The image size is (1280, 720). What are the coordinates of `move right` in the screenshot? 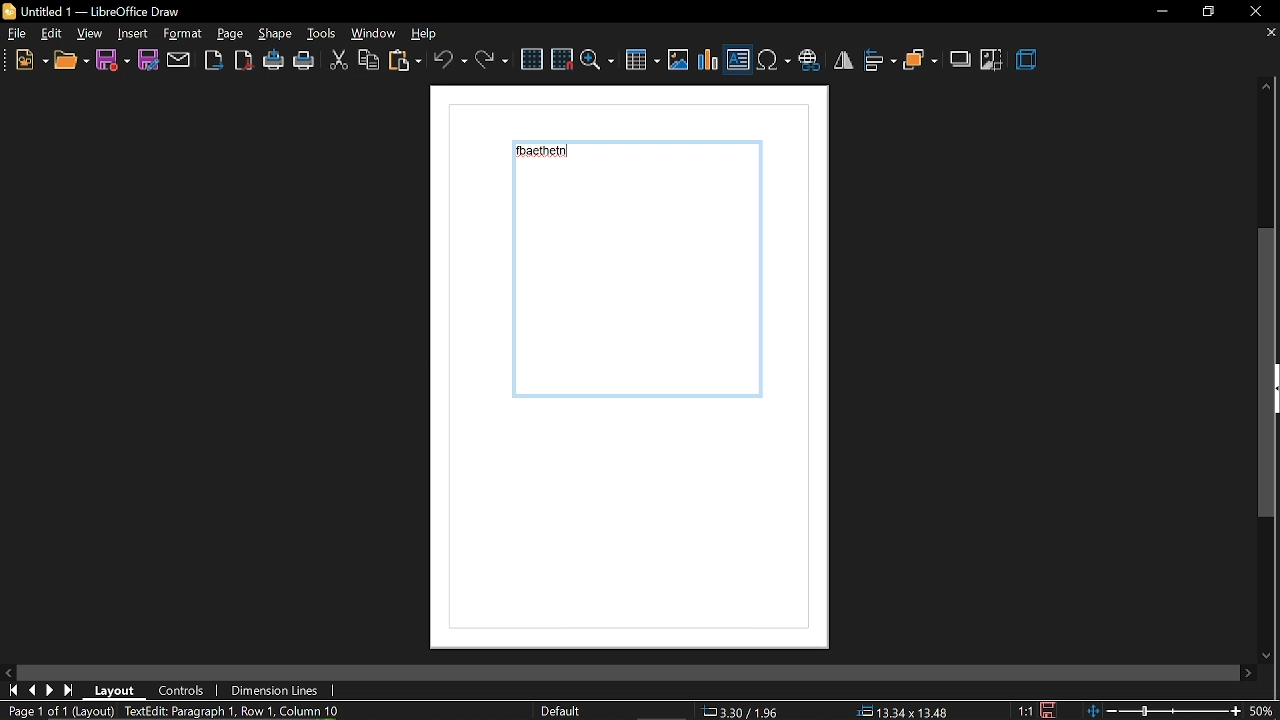 It's located at (1250, 673).